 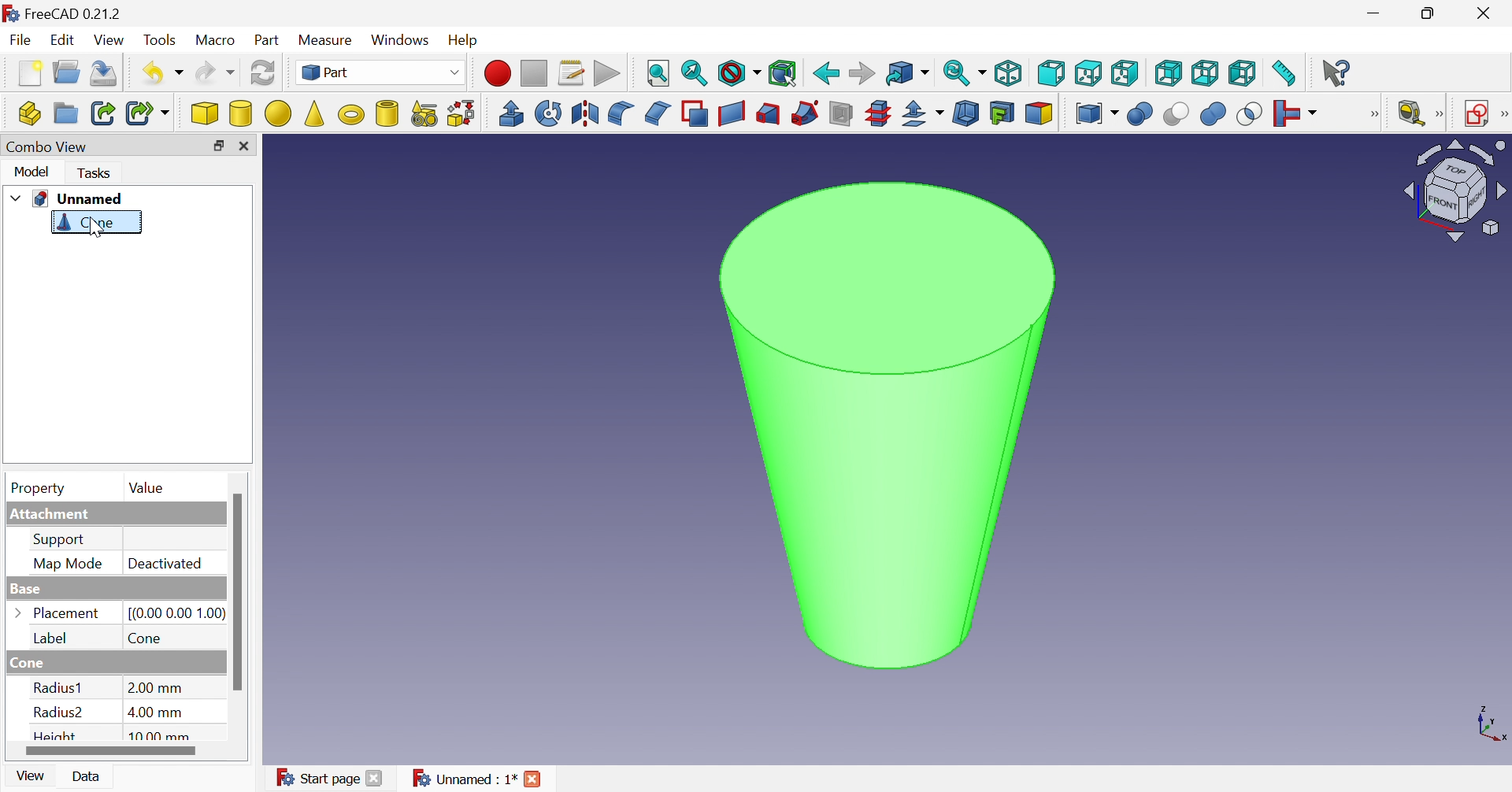 What do you see at coordinates (171, 613) in the screenshot?
I see `[(0.00 0.00 1.00)` at bounding box center [171, 613].